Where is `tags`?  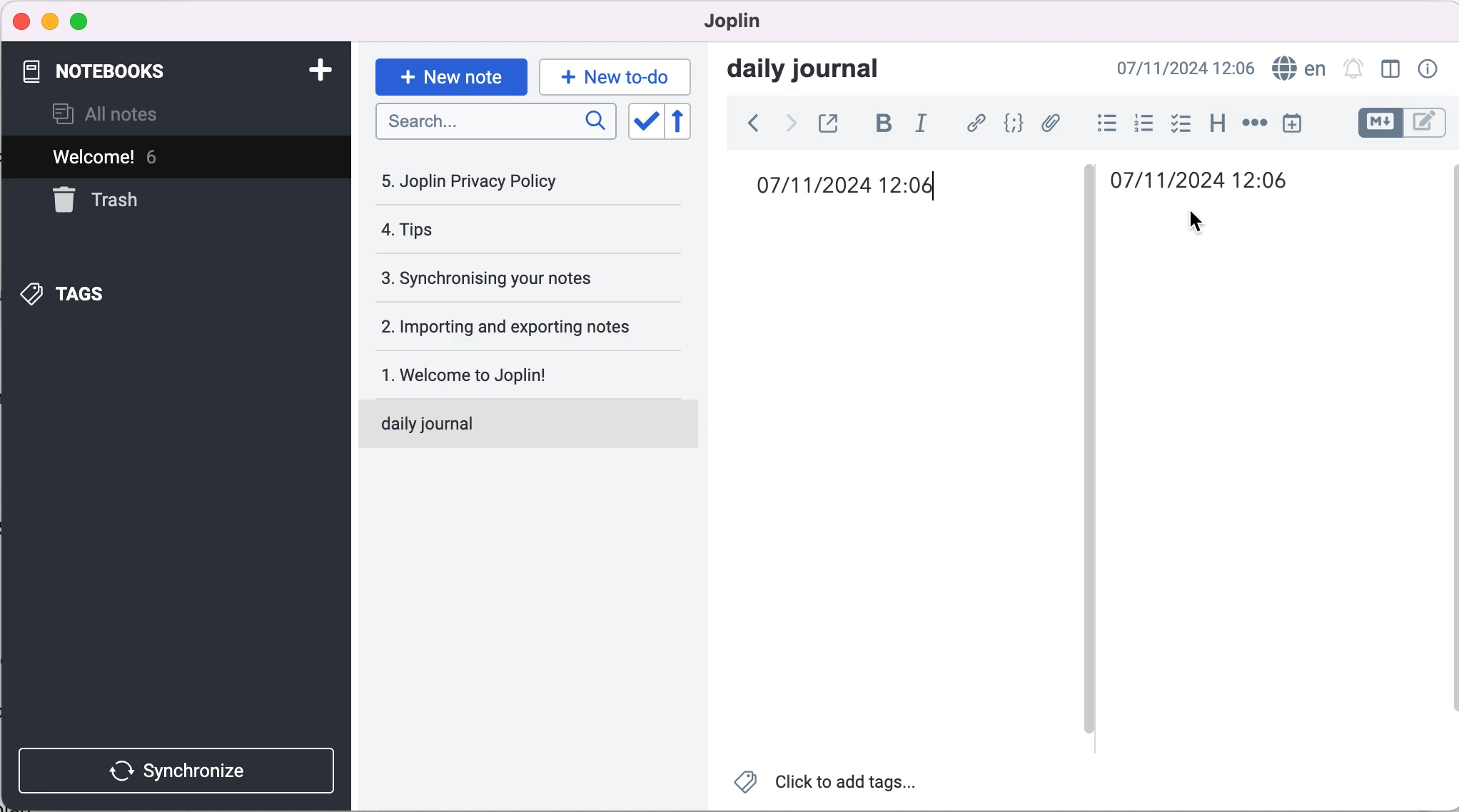
tags is located at coordinates (91, 290).